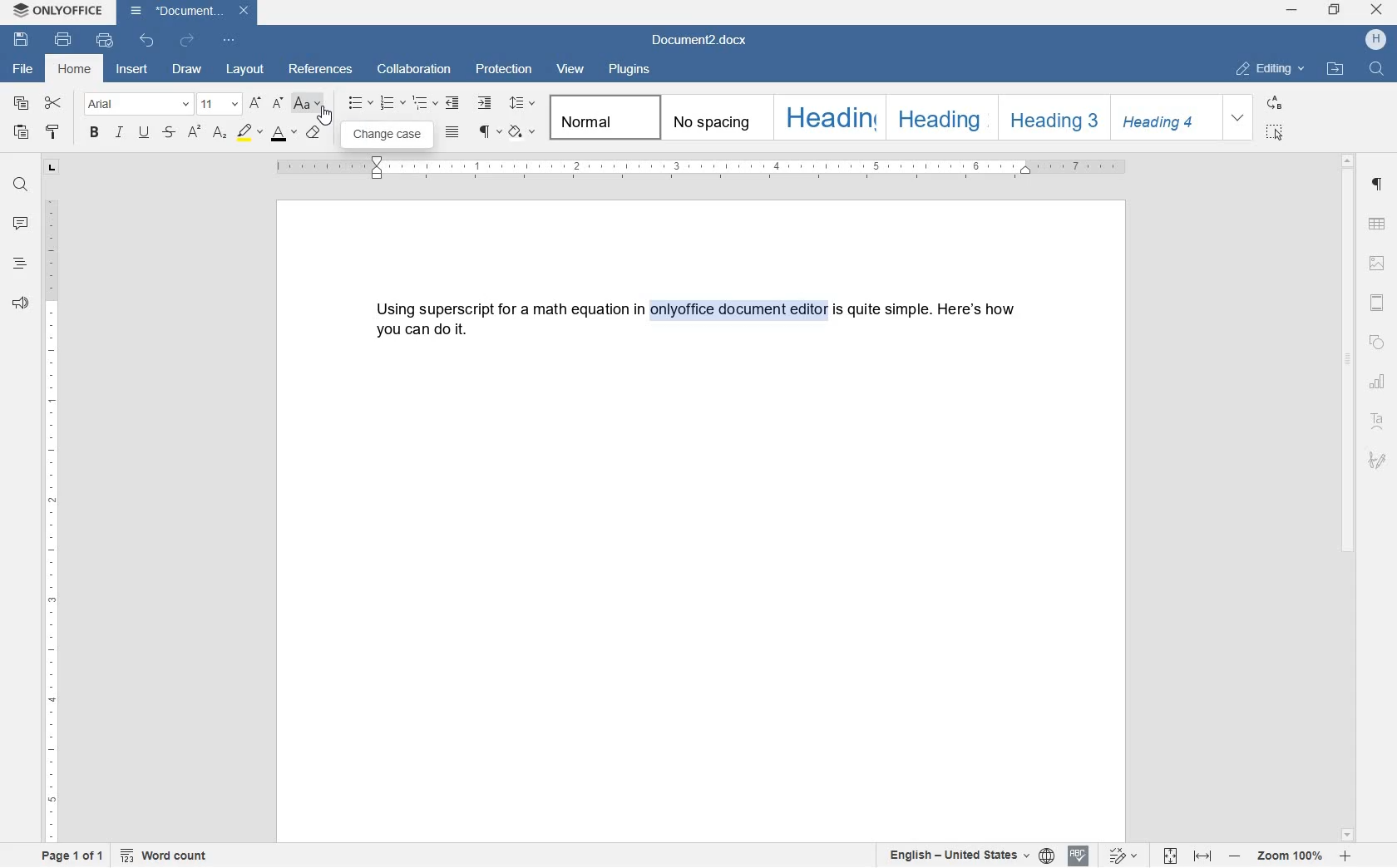 This screenshot has height=868, width=1397. I want to click on change case, so click(391, 135).